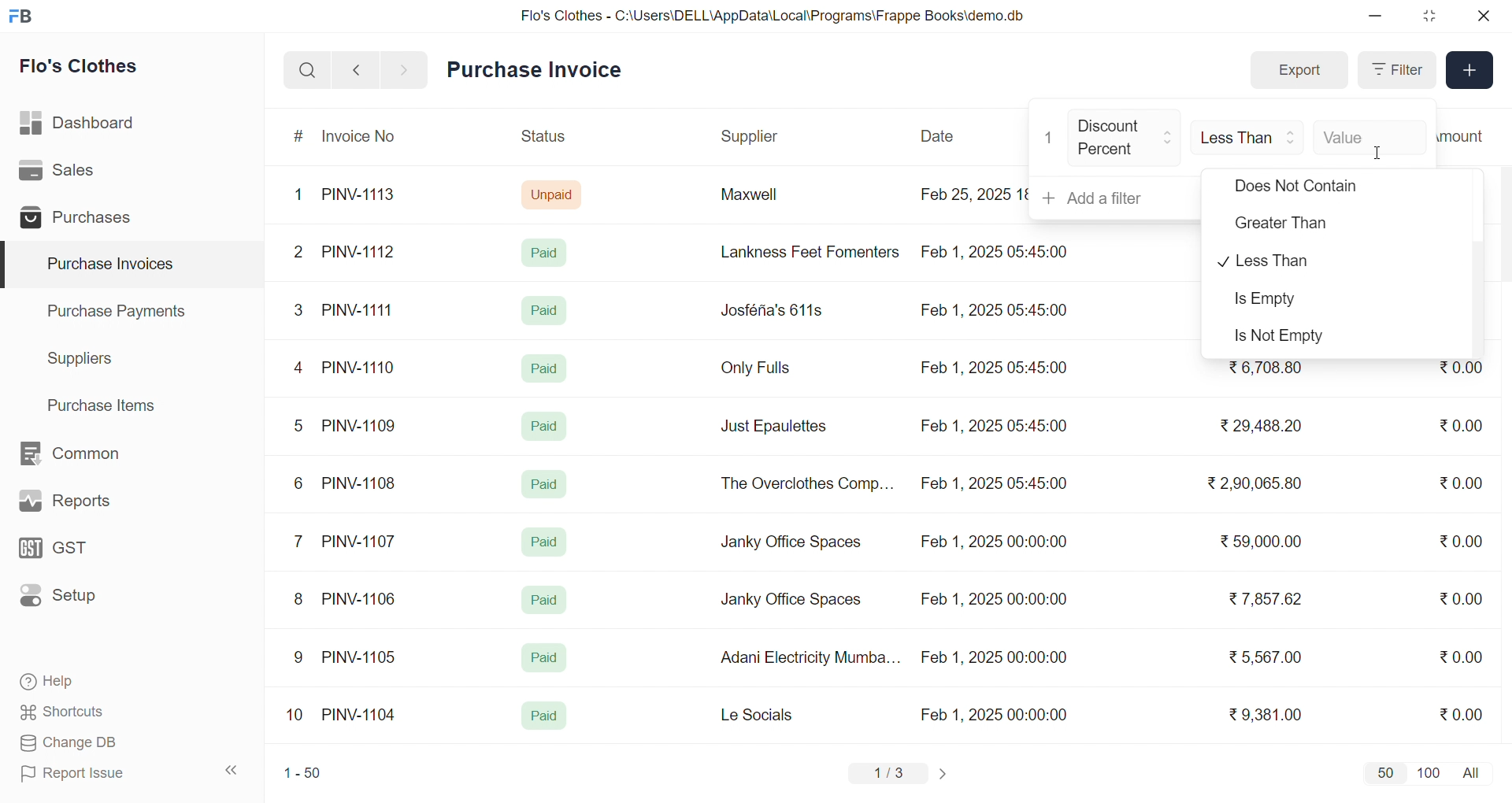  What do you see at coordinates (90, 68) in the screenshot?
I see `Flo's Clothes` at bounding box center [90, 68].